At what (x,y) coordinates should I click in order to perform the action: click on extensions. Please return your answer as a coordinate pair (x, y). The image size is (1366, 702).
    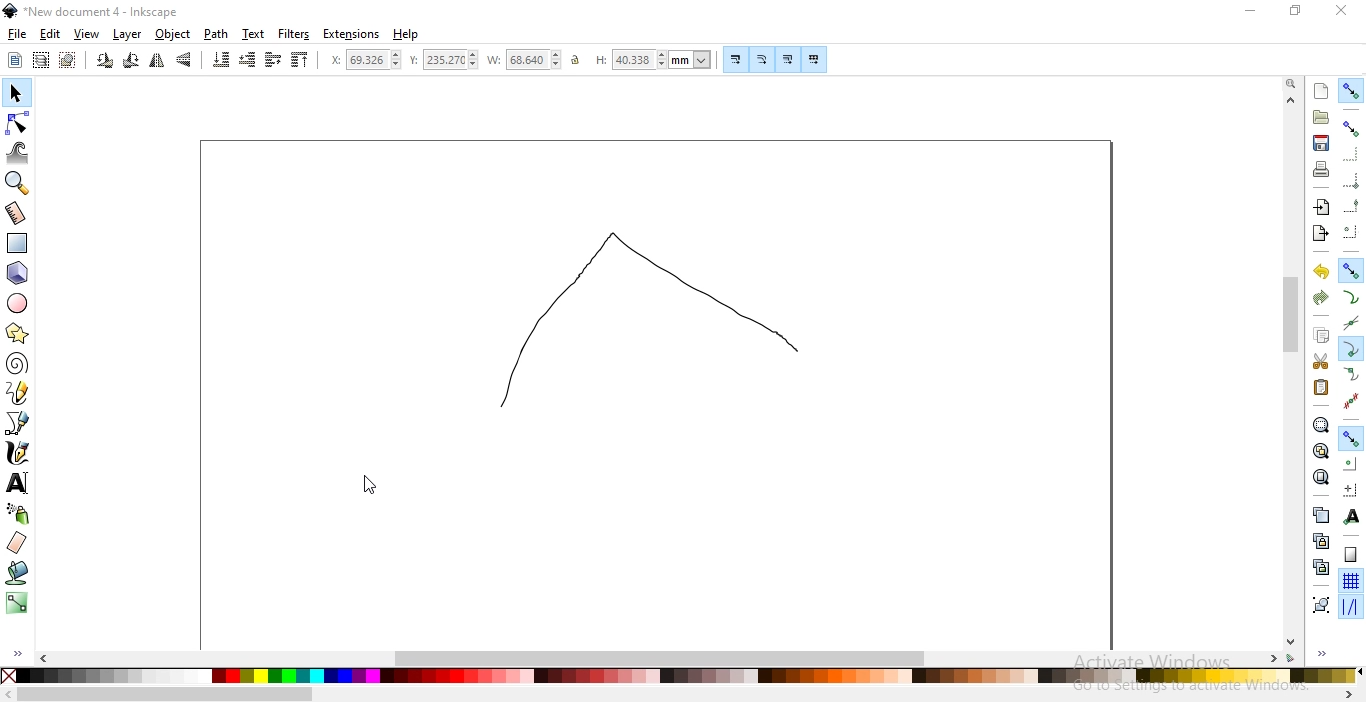
    Looking at the image, I should click on (351, 35).